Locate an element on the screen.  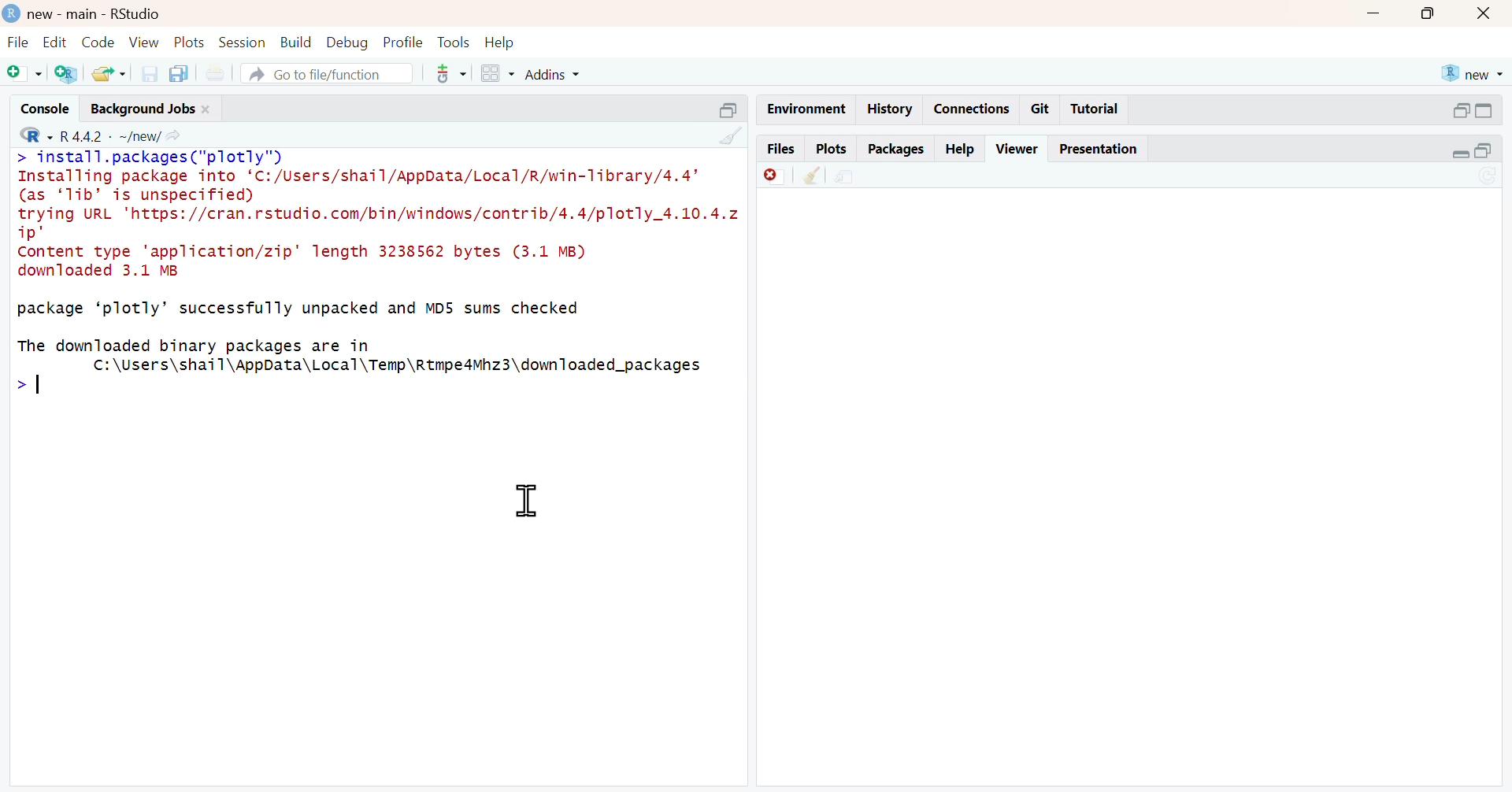
debug is located at coordinates (347, 43).